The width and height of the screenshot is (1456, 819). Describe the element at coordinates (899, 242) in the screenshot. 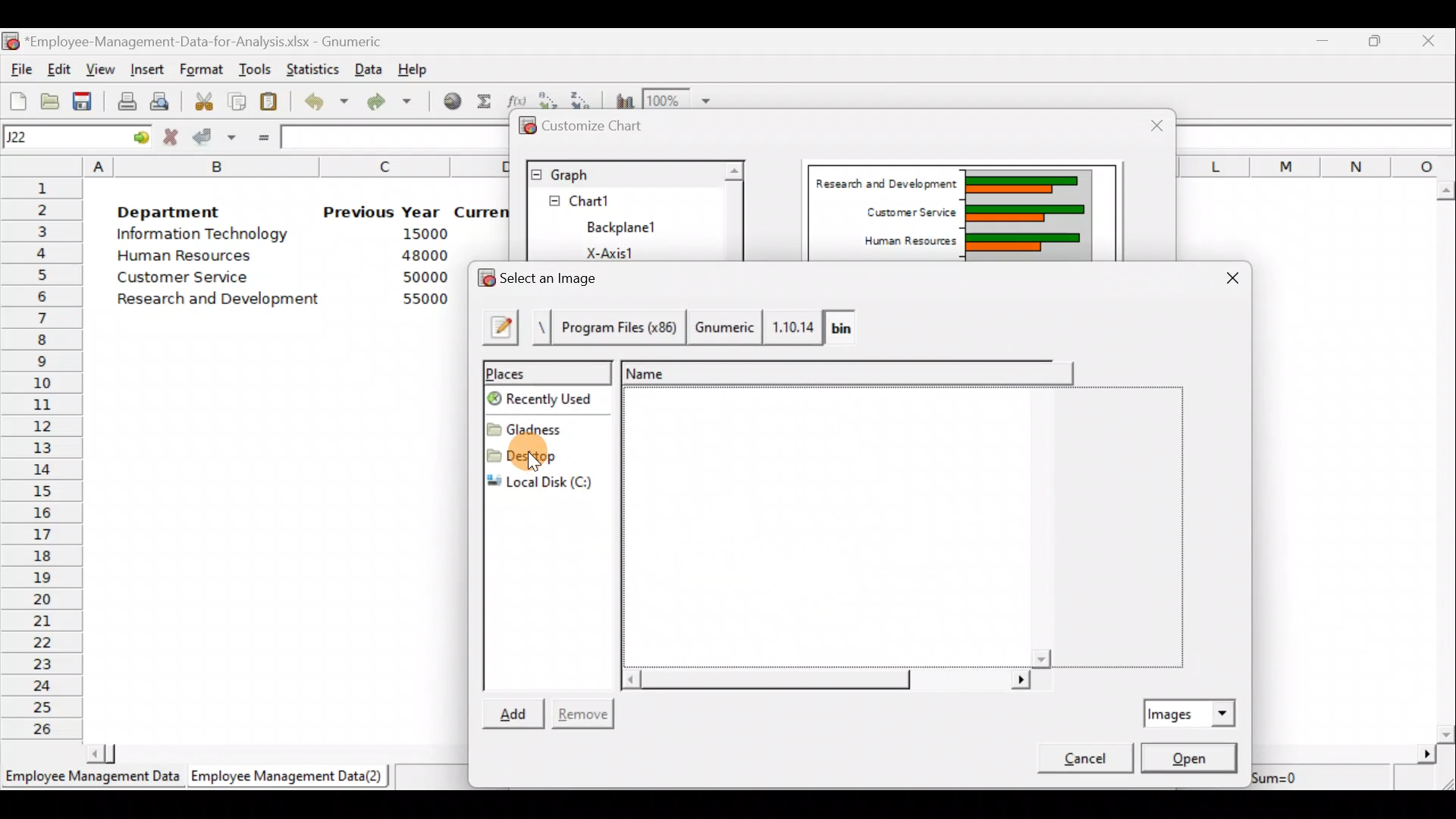

I see `Human Resources` at that location.